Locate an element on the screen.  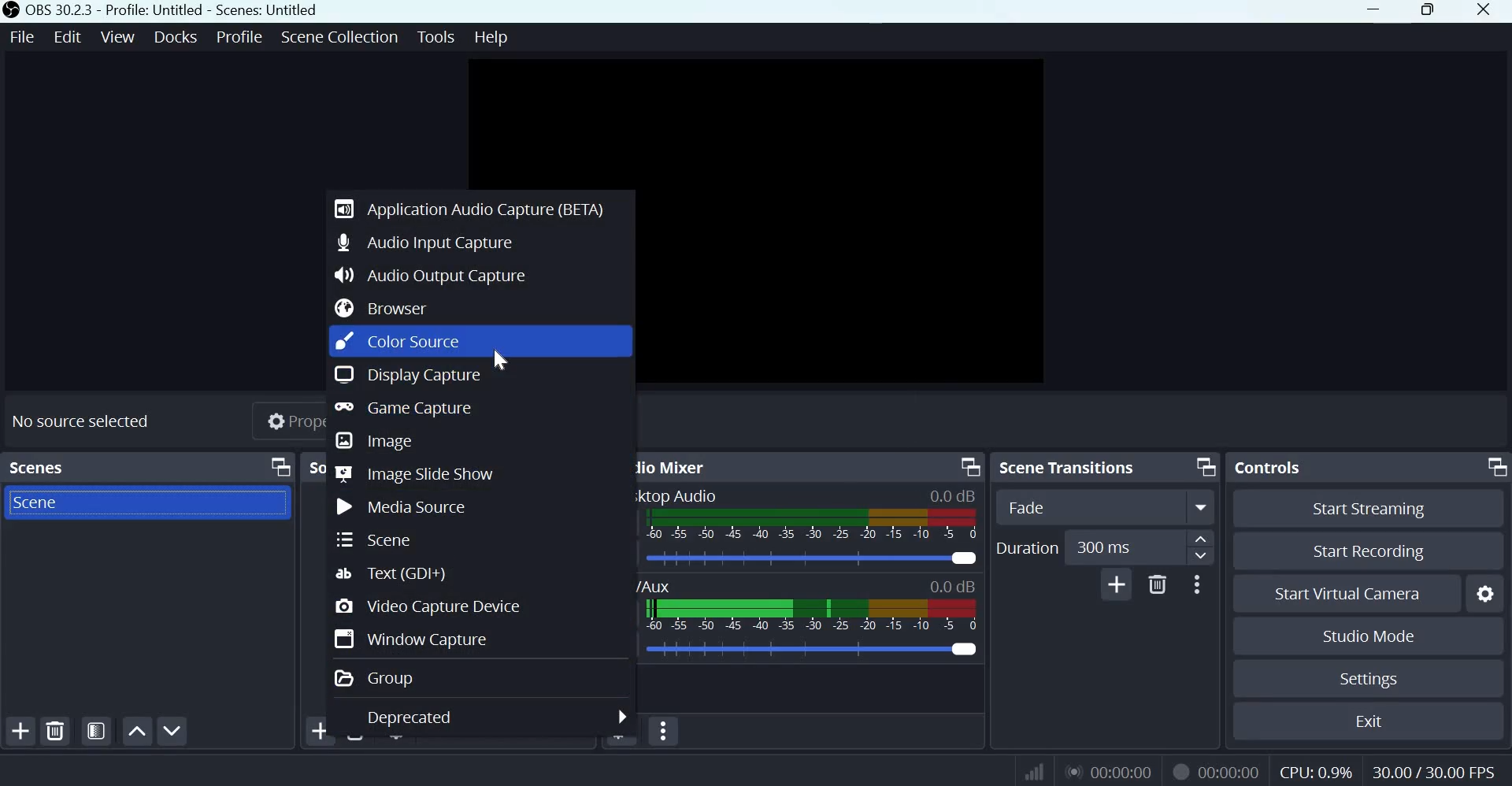
Recording Timer is located at coordinates (1231, 771).